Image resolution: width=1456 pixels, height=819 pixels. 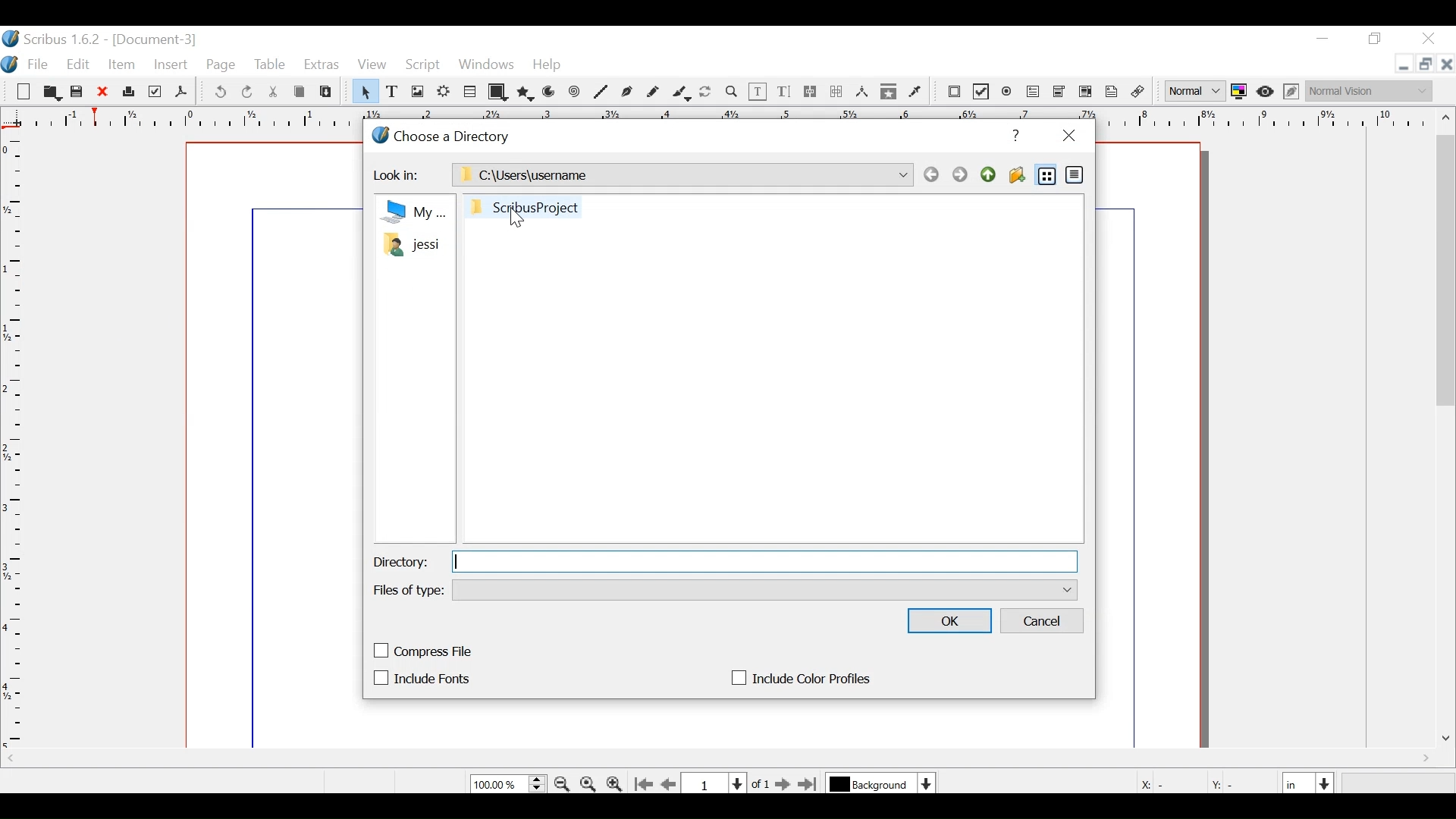 What do you see at coordinates (765, 563) in the screenshot?
I see `Directory Field` at bounding box center [765, 563].